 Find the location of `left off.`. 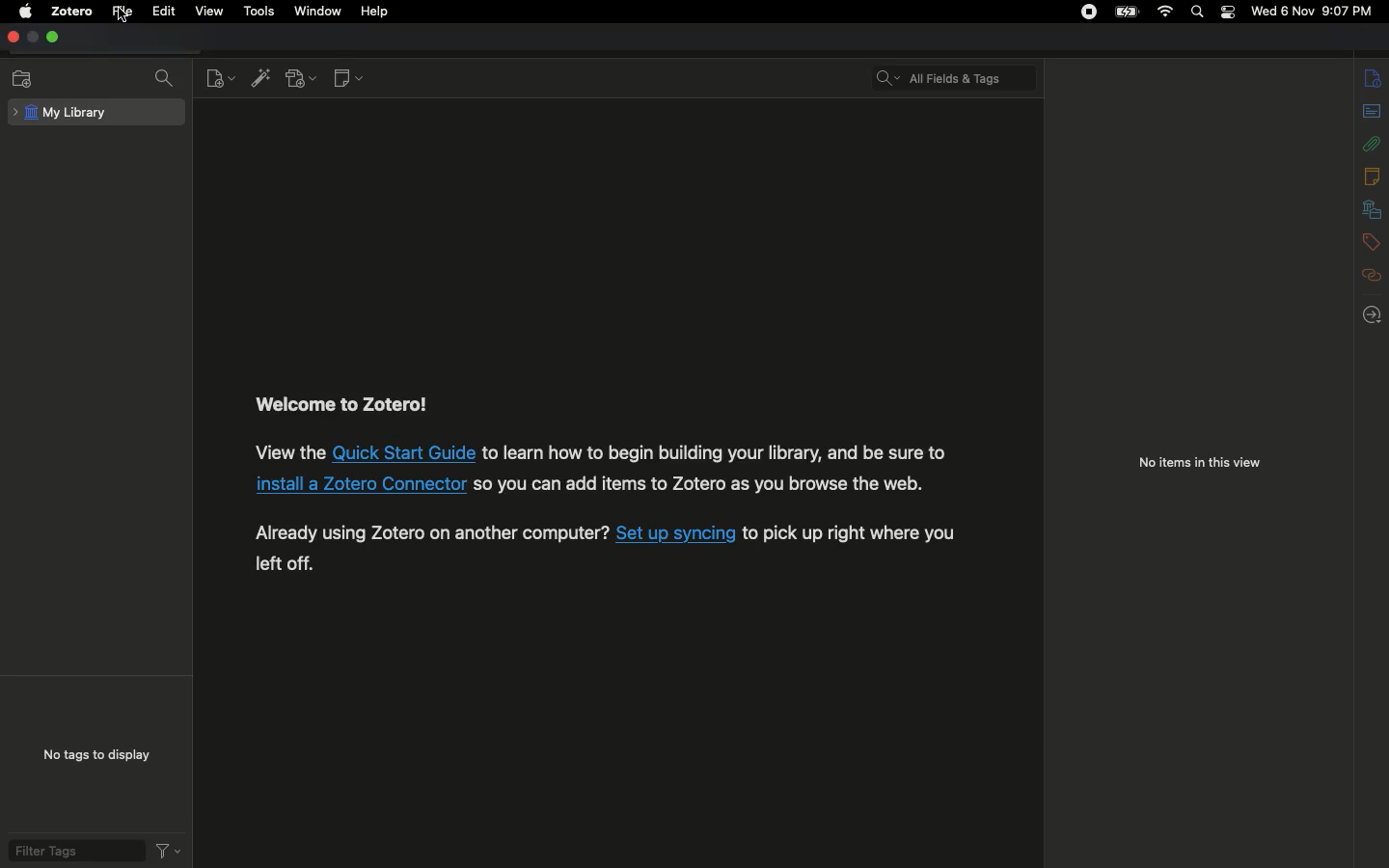

left off. is located at coordinates (285, 563).